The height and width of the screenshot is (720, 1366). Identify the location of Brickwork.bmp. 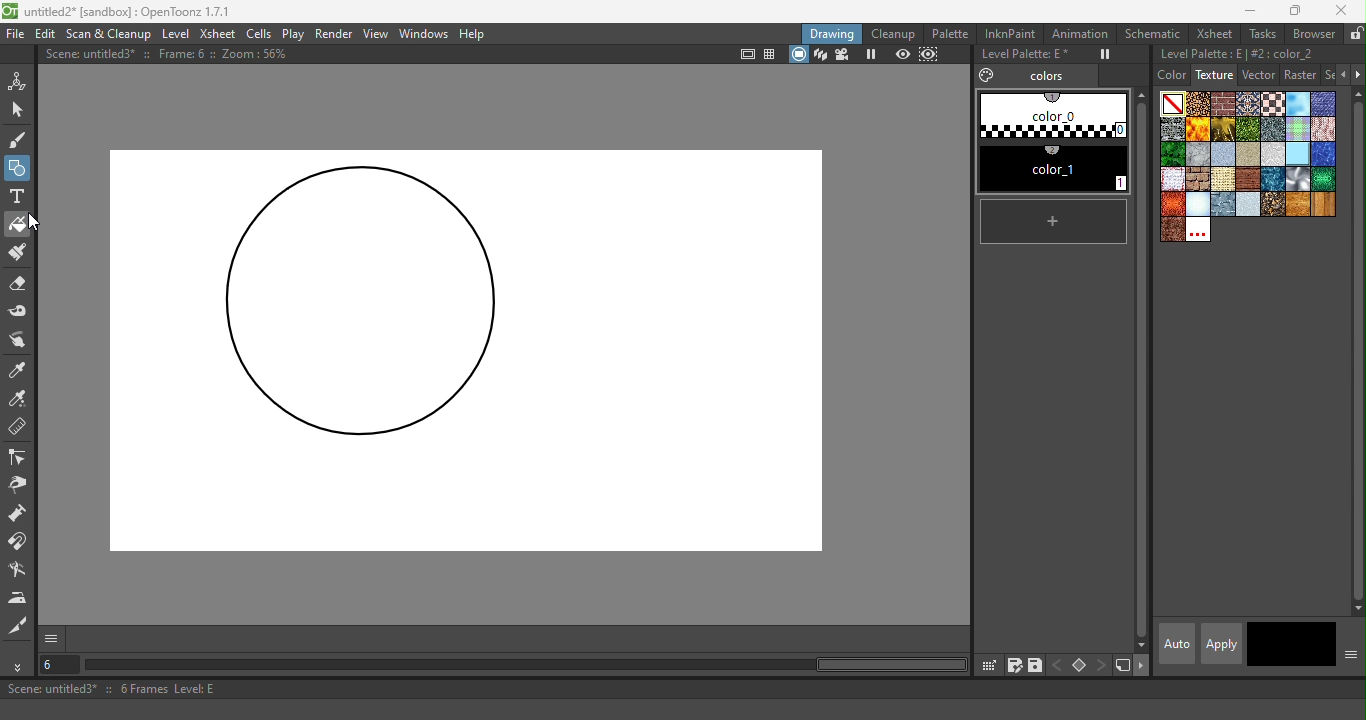
(1224, 103).